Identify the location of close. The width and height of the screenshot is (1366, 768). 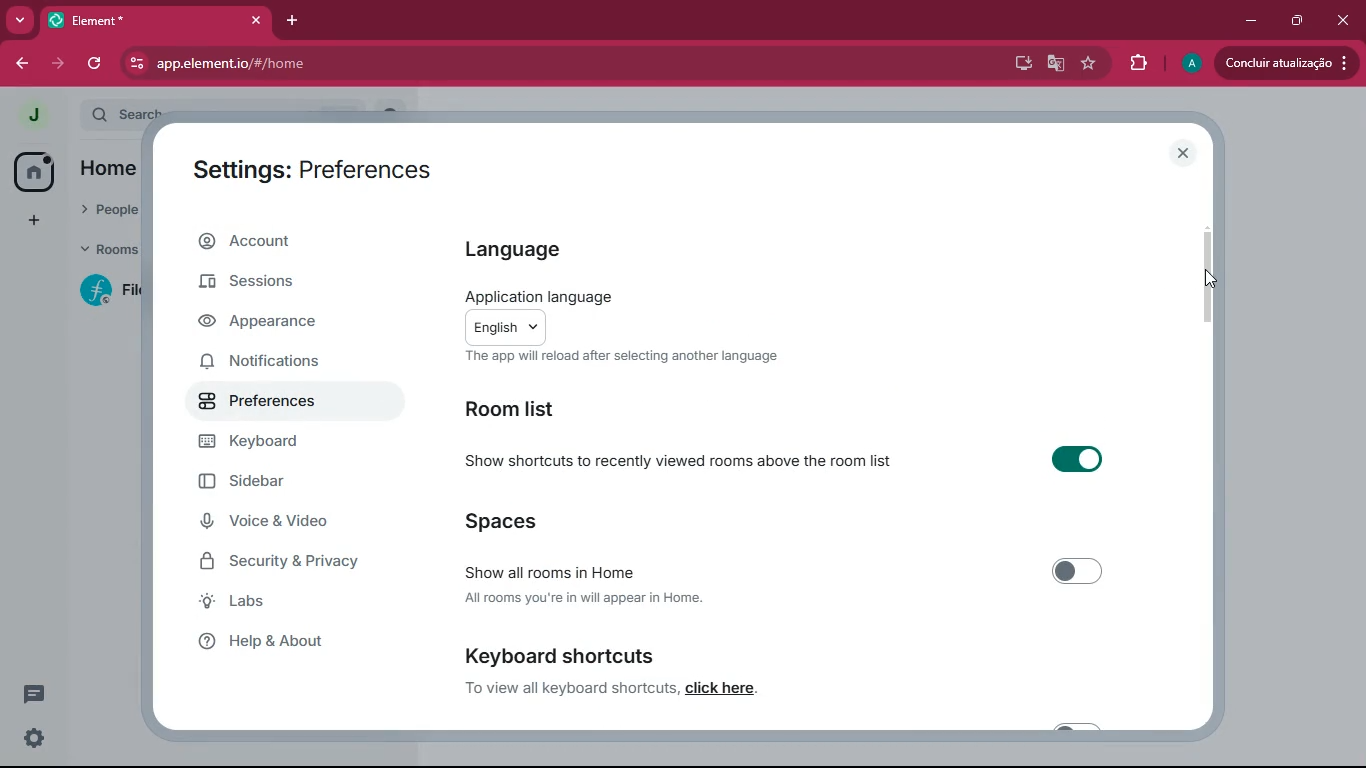
(1344, 20).